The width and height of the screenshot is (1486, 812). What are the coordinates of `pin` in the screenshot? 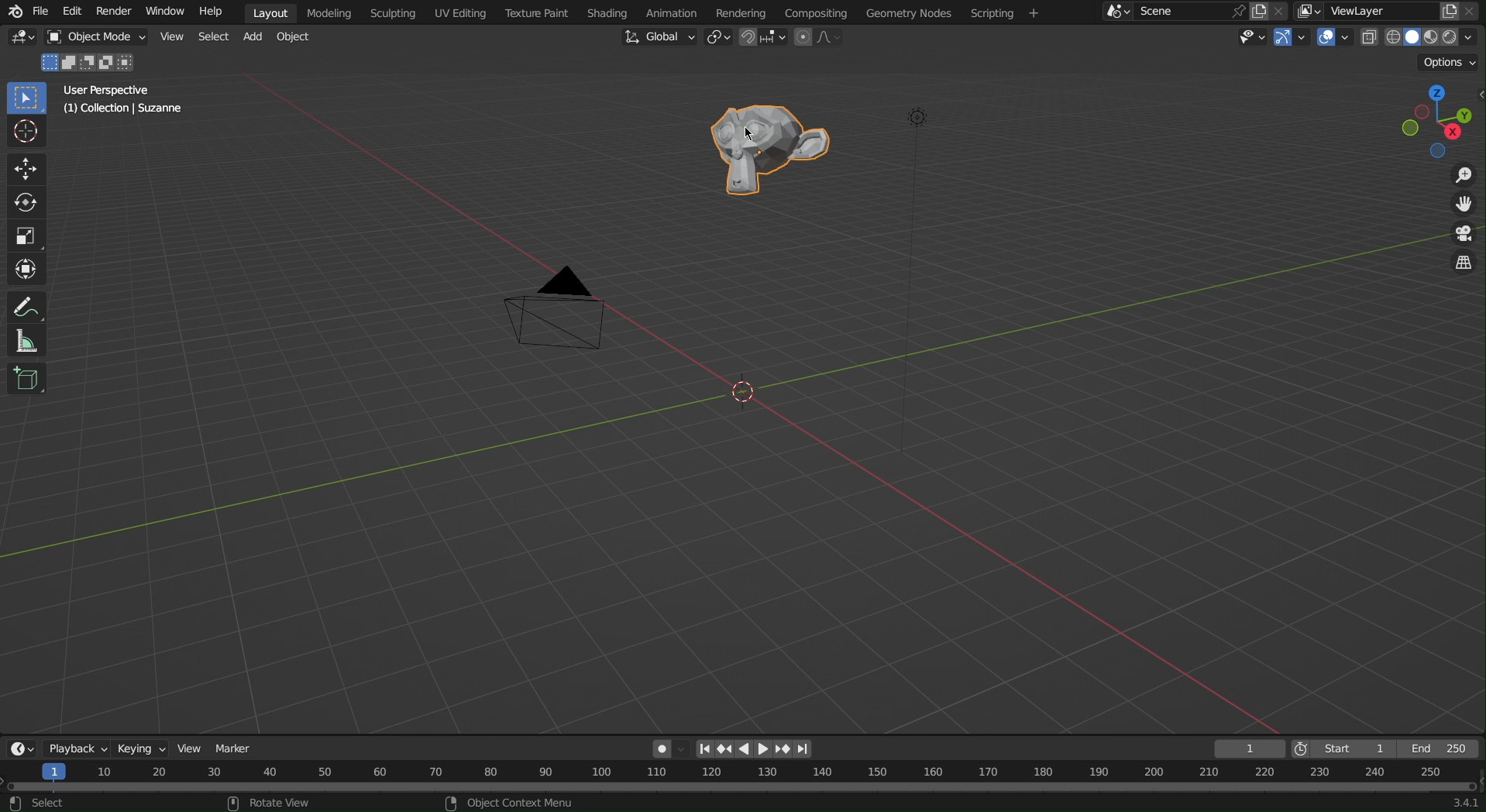 It's located at (1238, 12).